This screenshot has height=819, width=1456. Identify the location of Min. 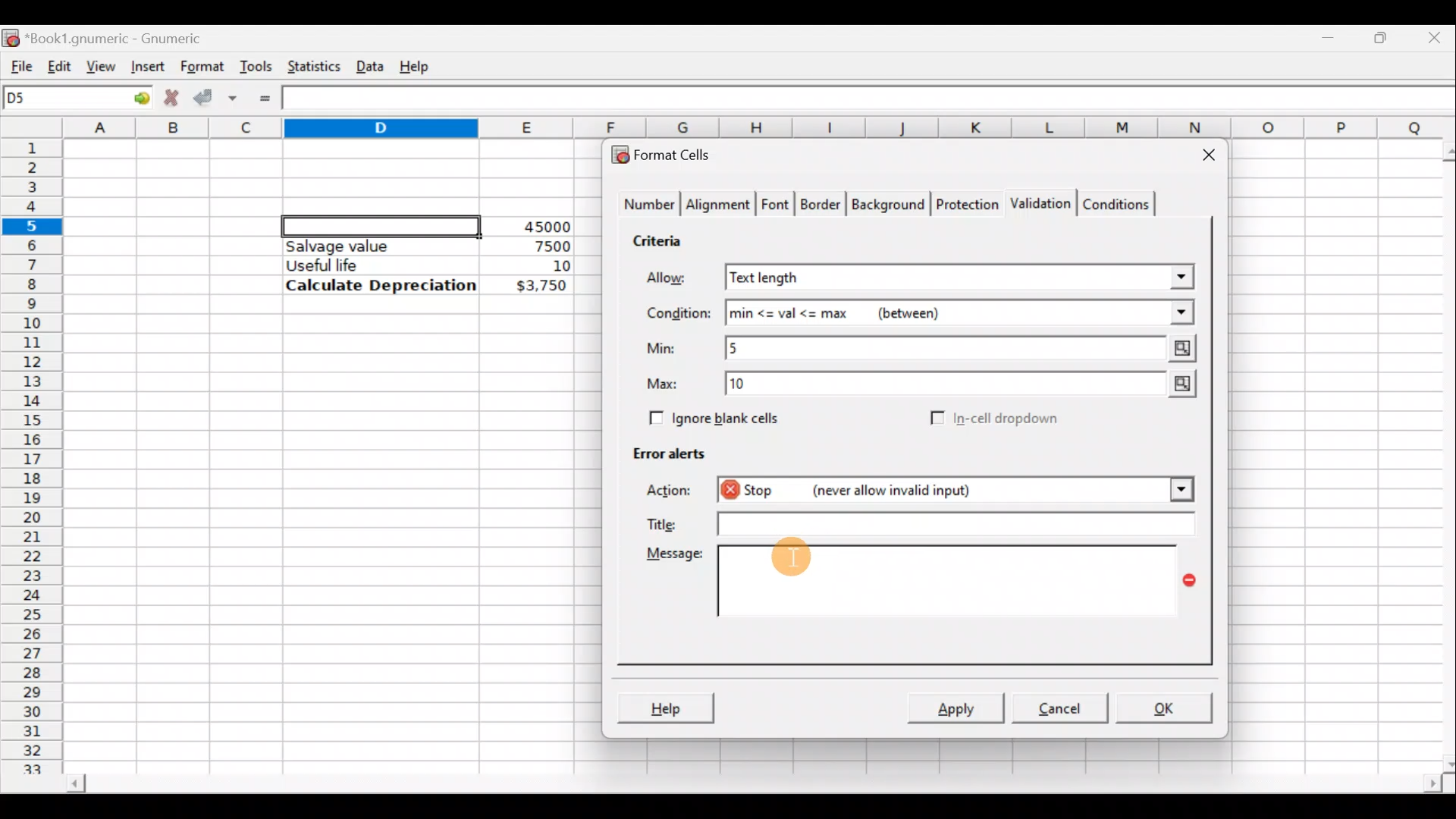
(664, 348).